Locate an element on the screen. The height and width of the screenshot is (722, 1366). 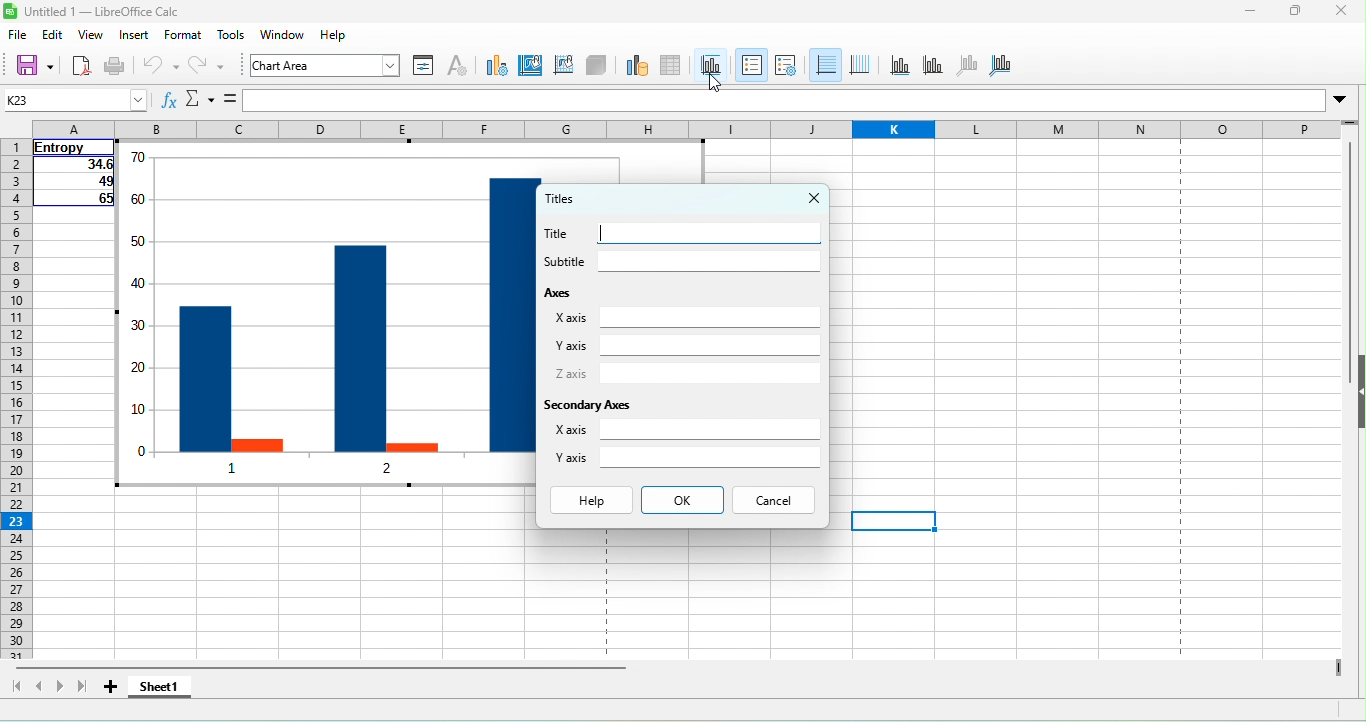
all axes is located at coordinates (1010, 69).